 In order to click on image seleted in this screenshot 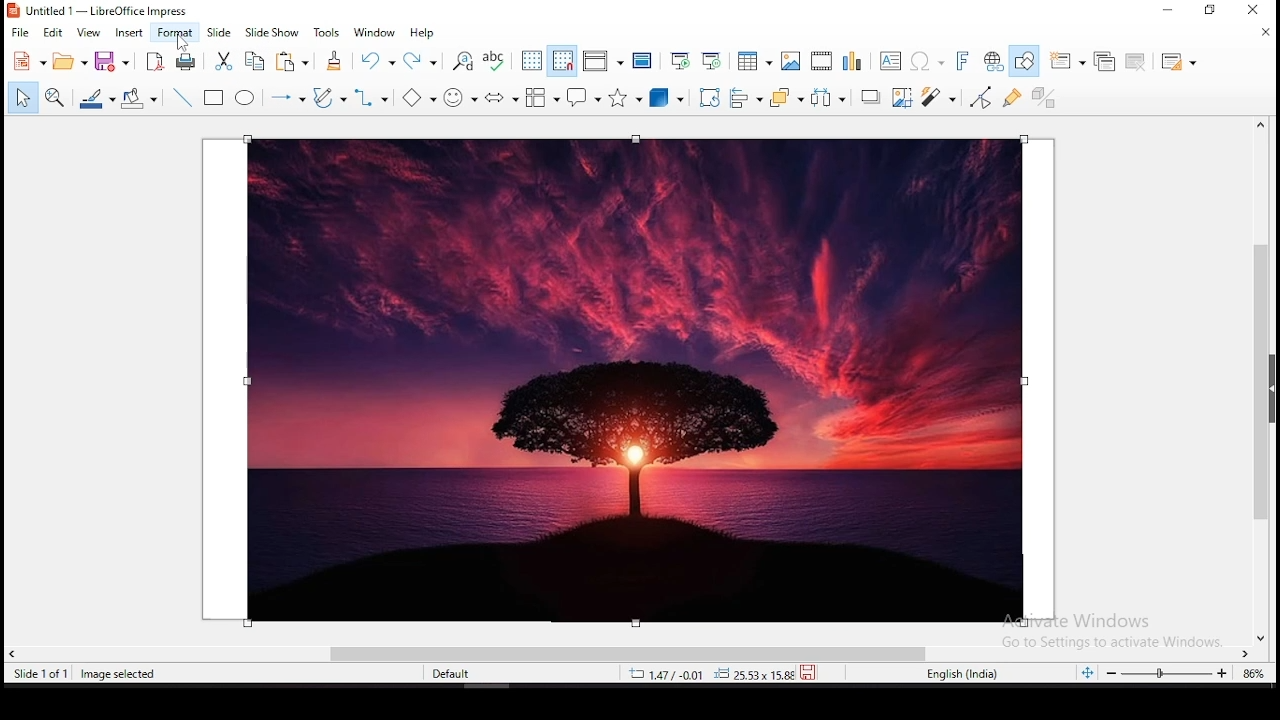, I will do `click(119, 675)`.